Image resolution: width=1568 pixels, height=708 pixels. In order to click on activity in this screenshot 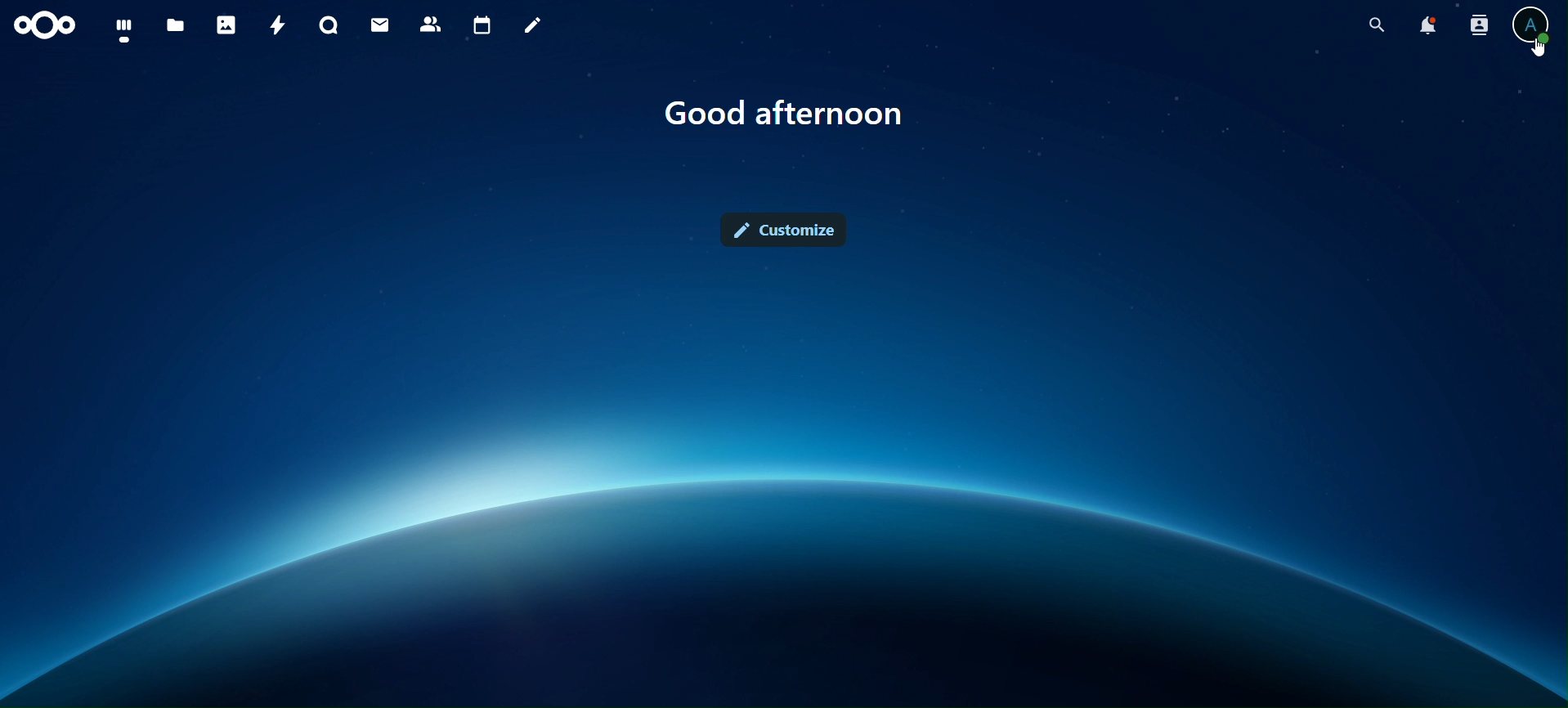, I will do `click(277, 25)`.